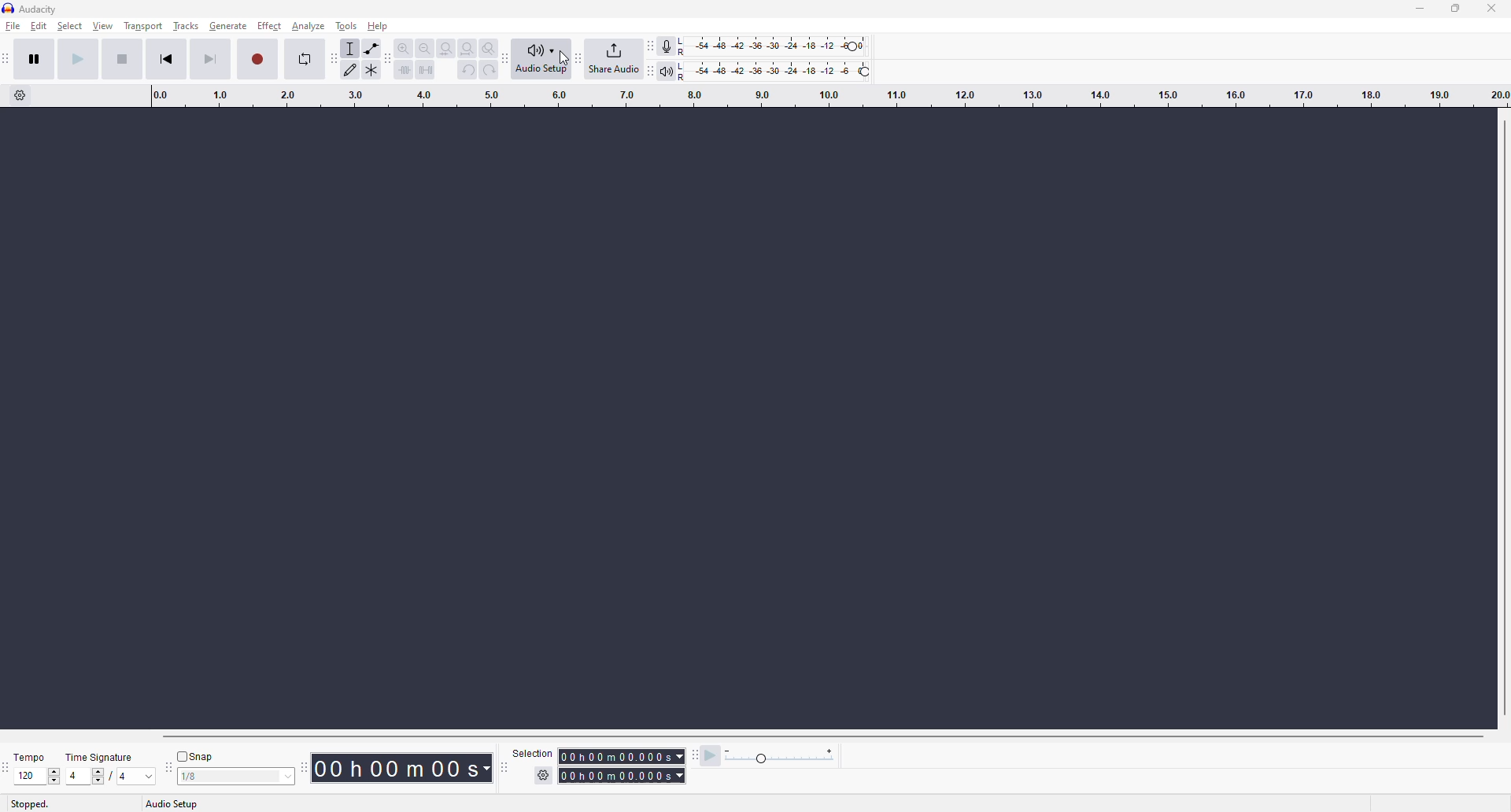  Describe the element at coordinates (257, 58) in the screenshot. I see `record` at that location.